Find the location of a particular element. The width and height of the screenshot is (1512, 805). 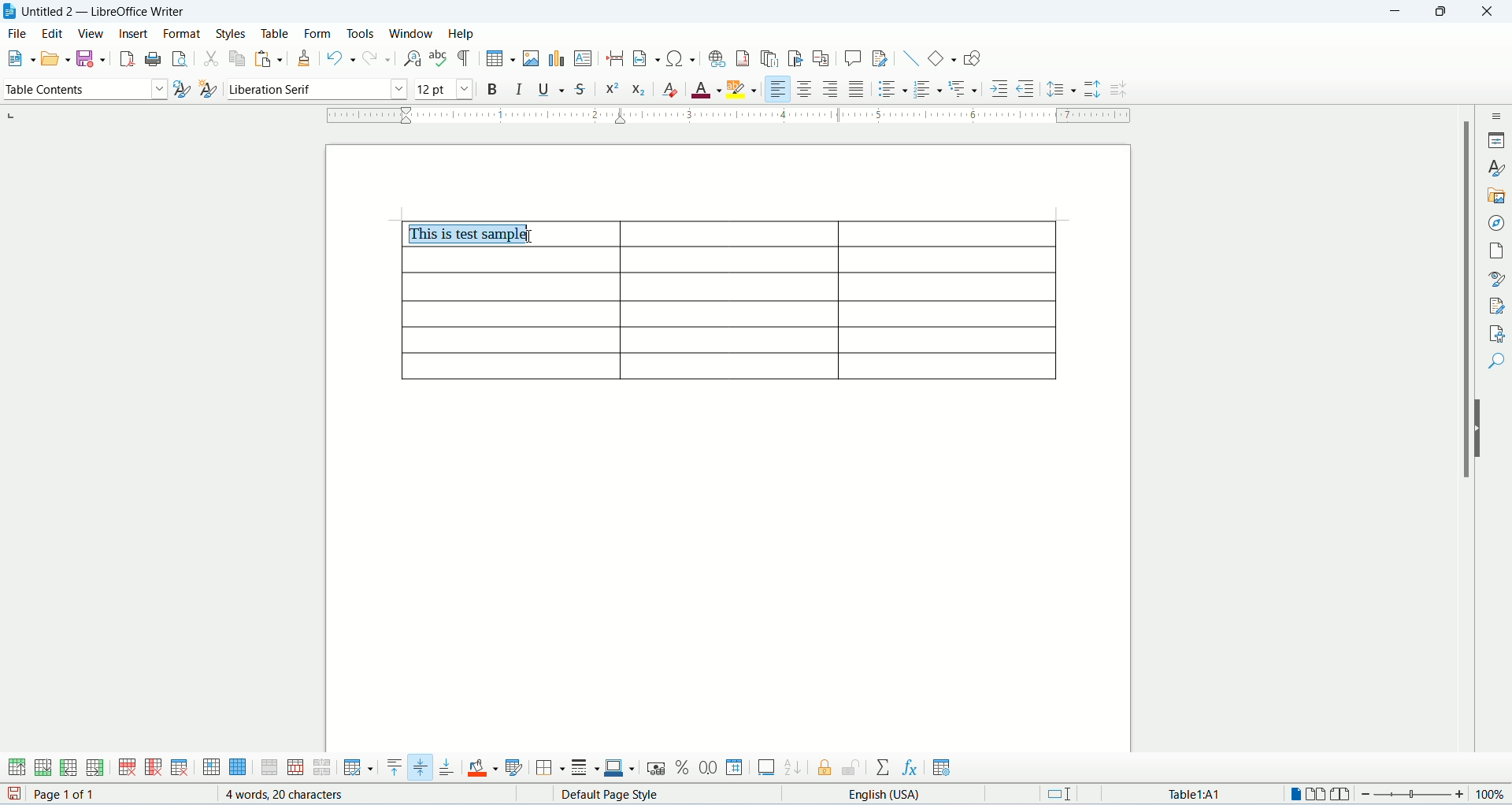

autoformat styles is located at coordinates (516, 768).